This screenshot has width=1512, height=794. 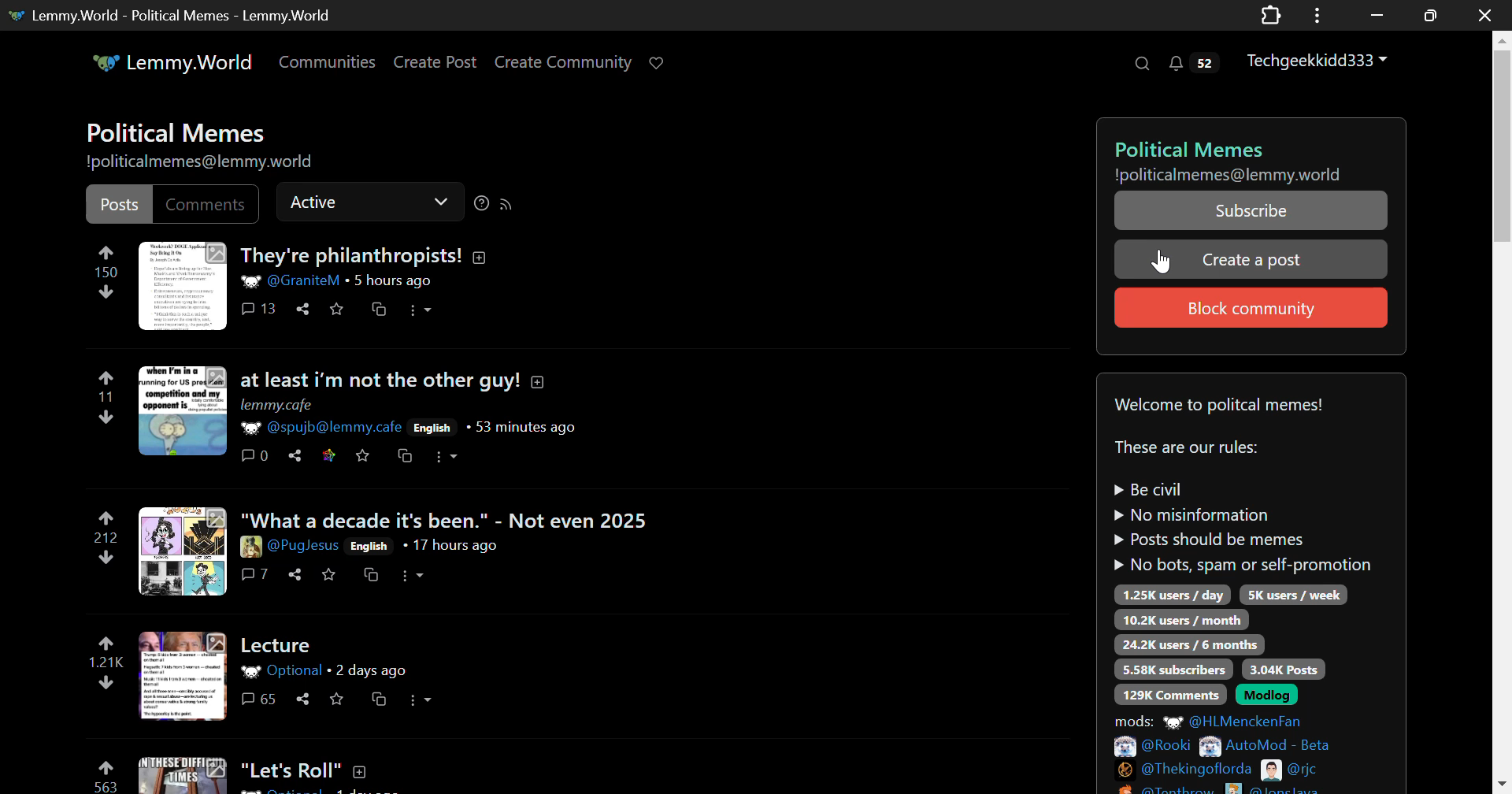 I want to click on "What a decade it's been." - Not even 2025, so click(x=450, y=520).